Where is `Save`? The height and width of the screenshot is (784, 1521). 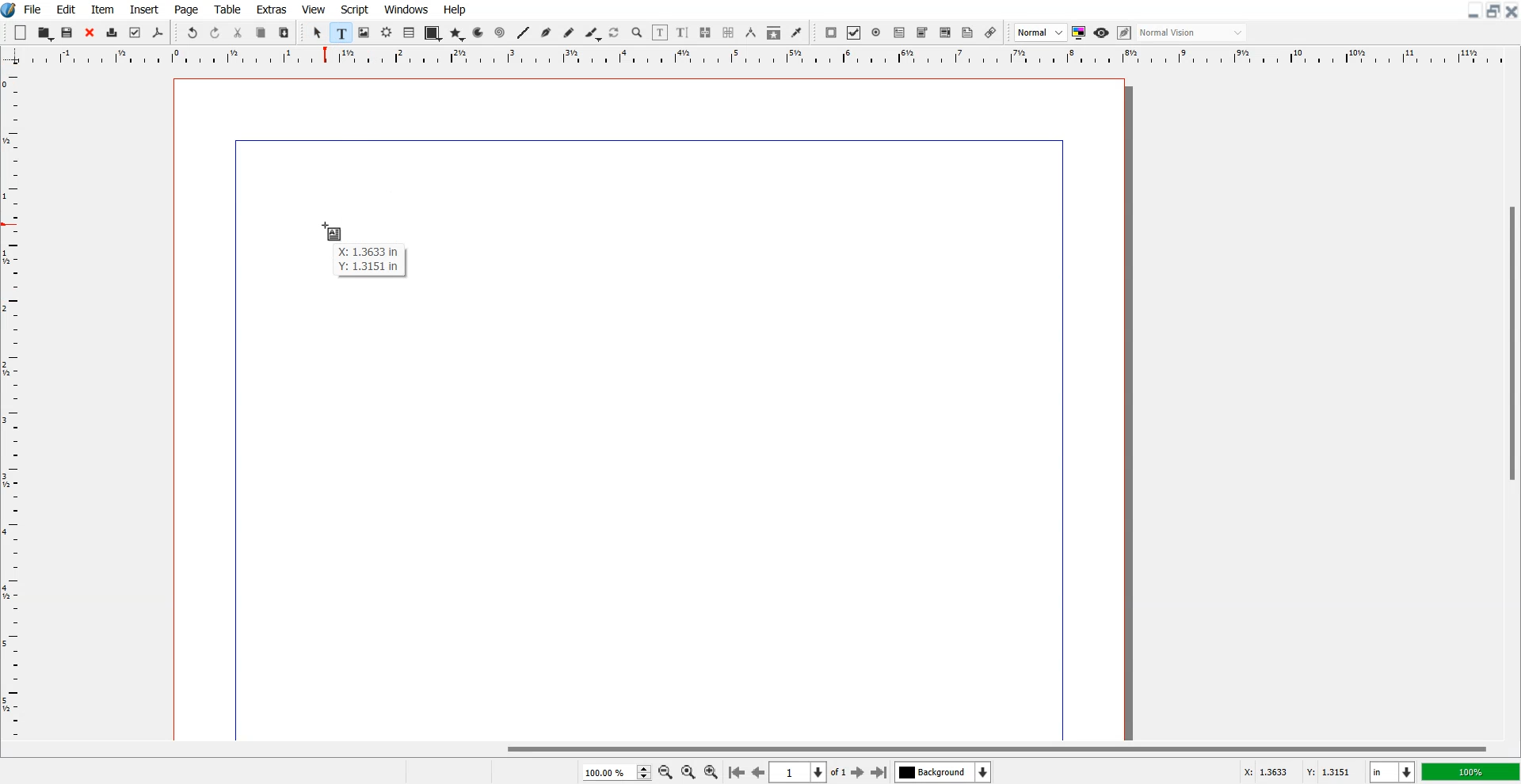 Save is located at coordinates (68, 32).